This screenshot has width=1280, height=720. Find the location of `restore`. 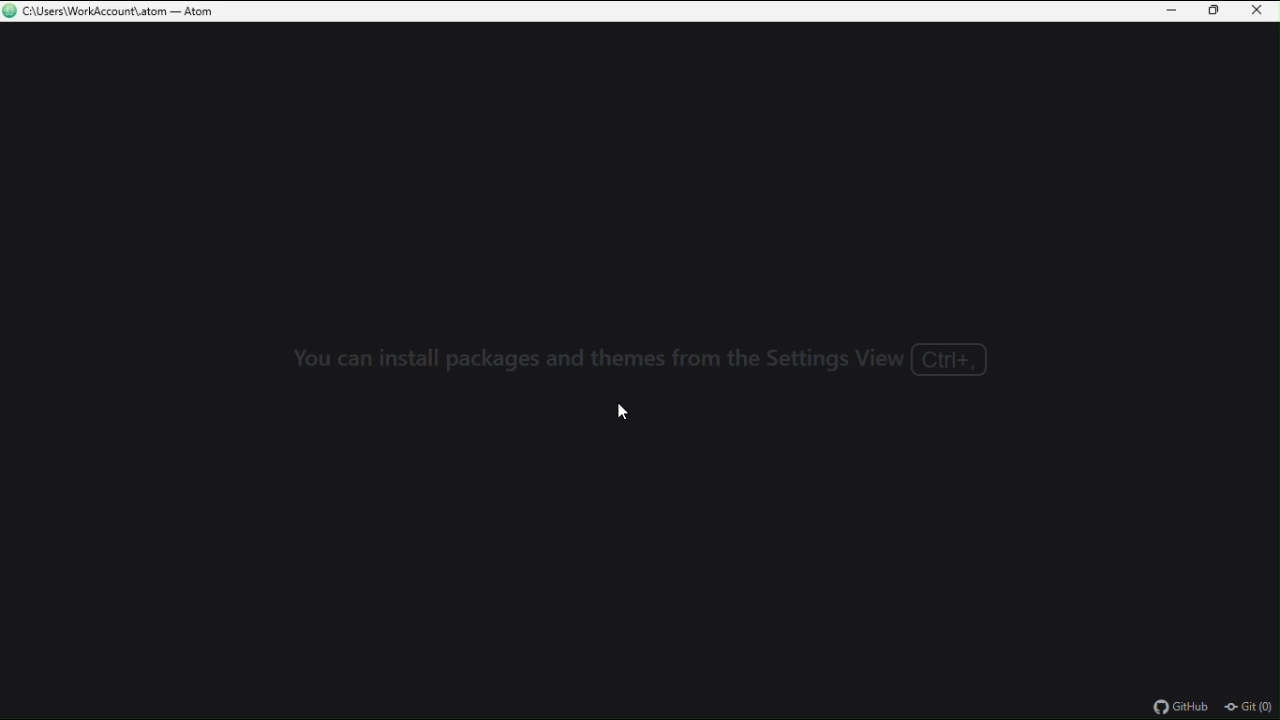

restore is located at coordinates (1214, 12).